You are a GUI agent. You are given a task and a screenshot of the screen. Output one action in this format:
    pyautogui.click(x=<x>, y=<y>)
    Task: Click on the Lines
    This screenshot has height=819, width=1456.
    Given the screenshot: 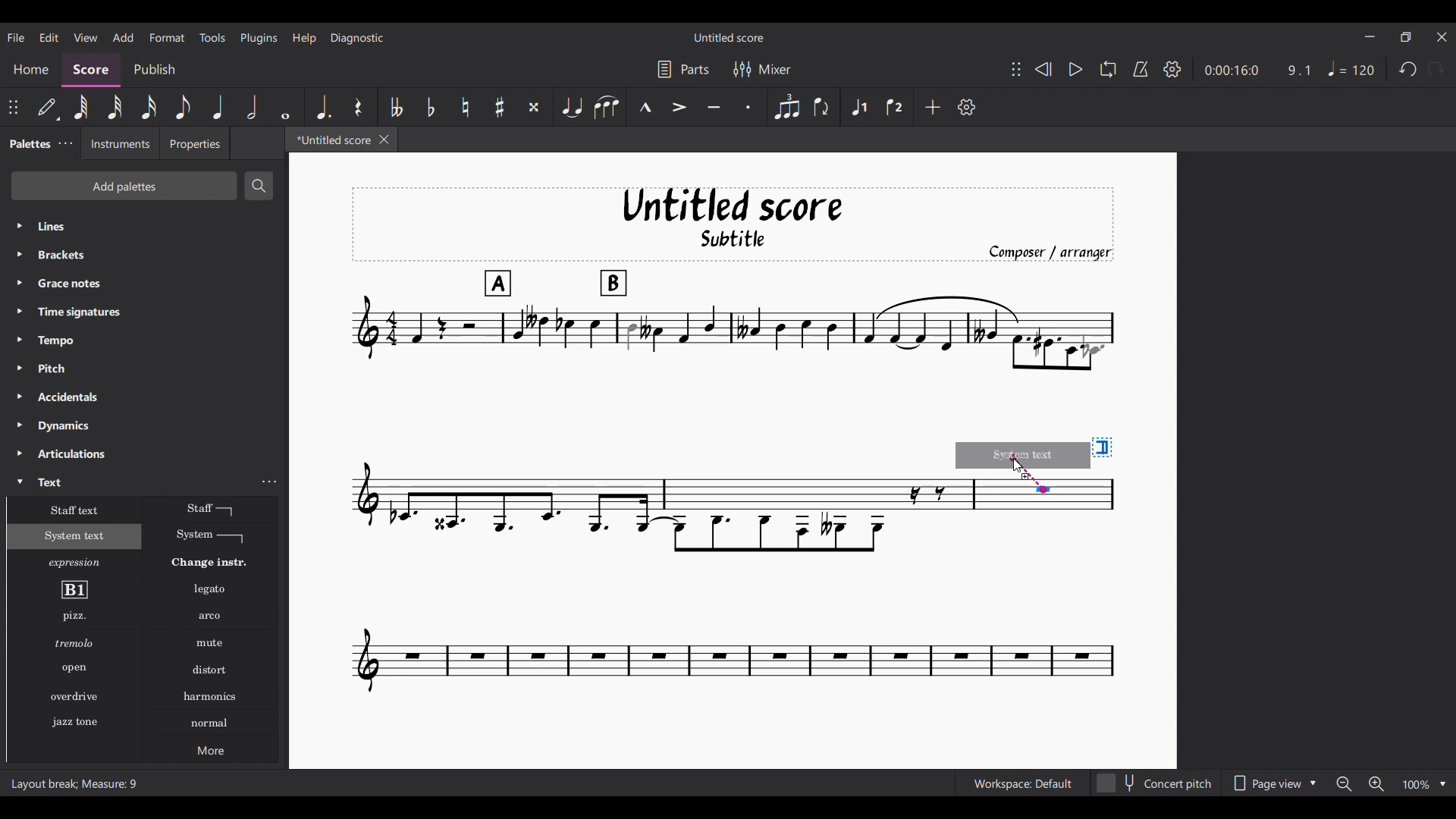 What is the action you would take?
    pyautogui.click(x=144, y=226)
    